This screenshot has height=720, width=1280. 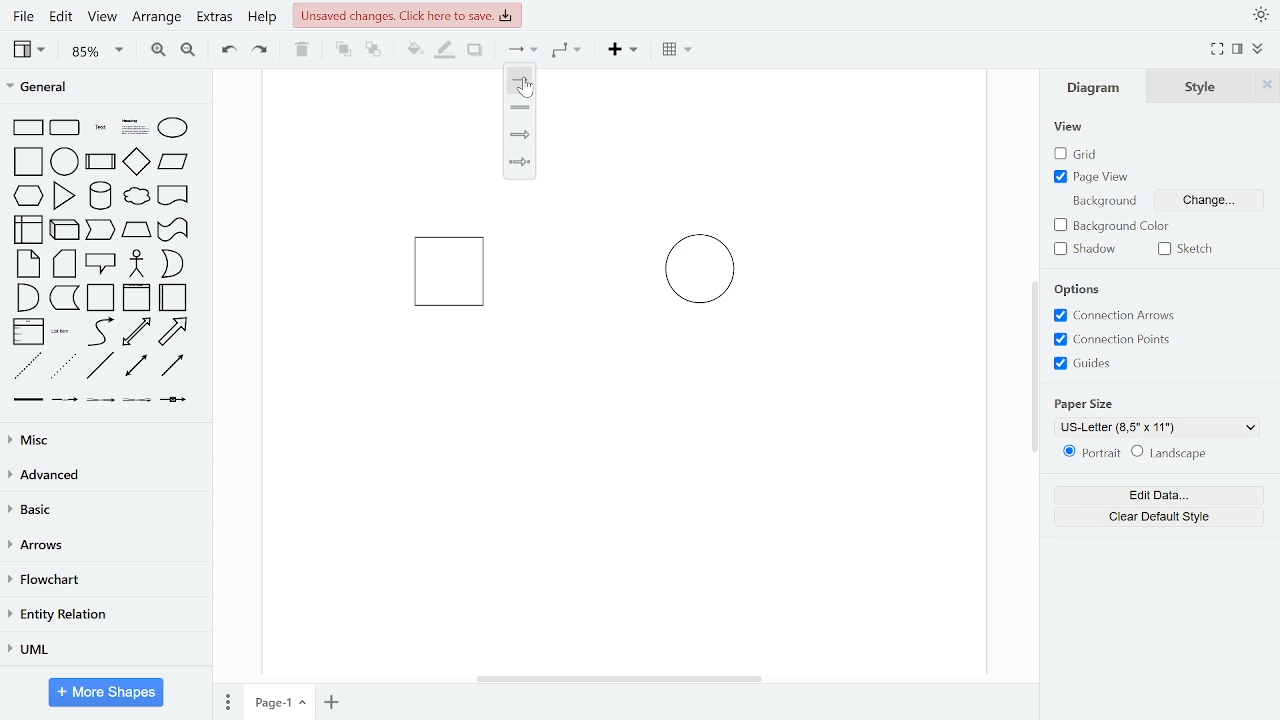 I want to click on list, so click(x=28, y=332).